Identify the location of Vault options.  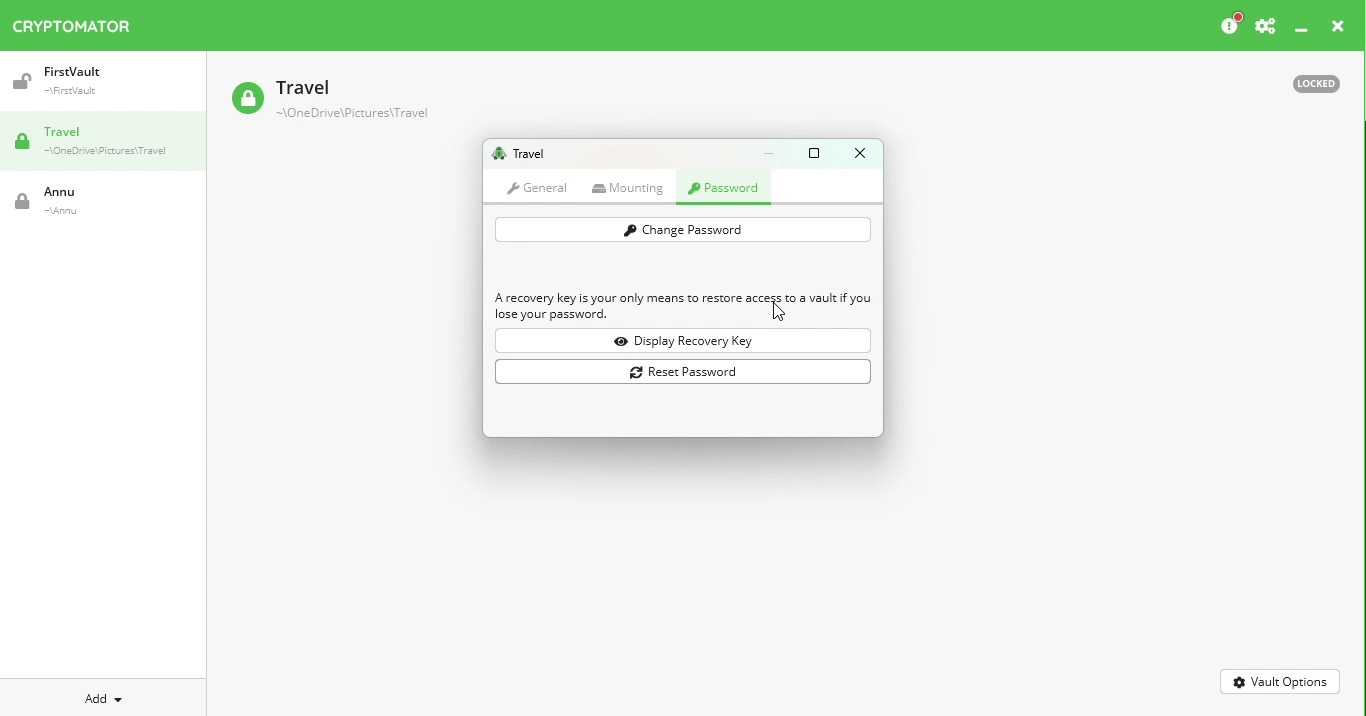
(1281, 680).